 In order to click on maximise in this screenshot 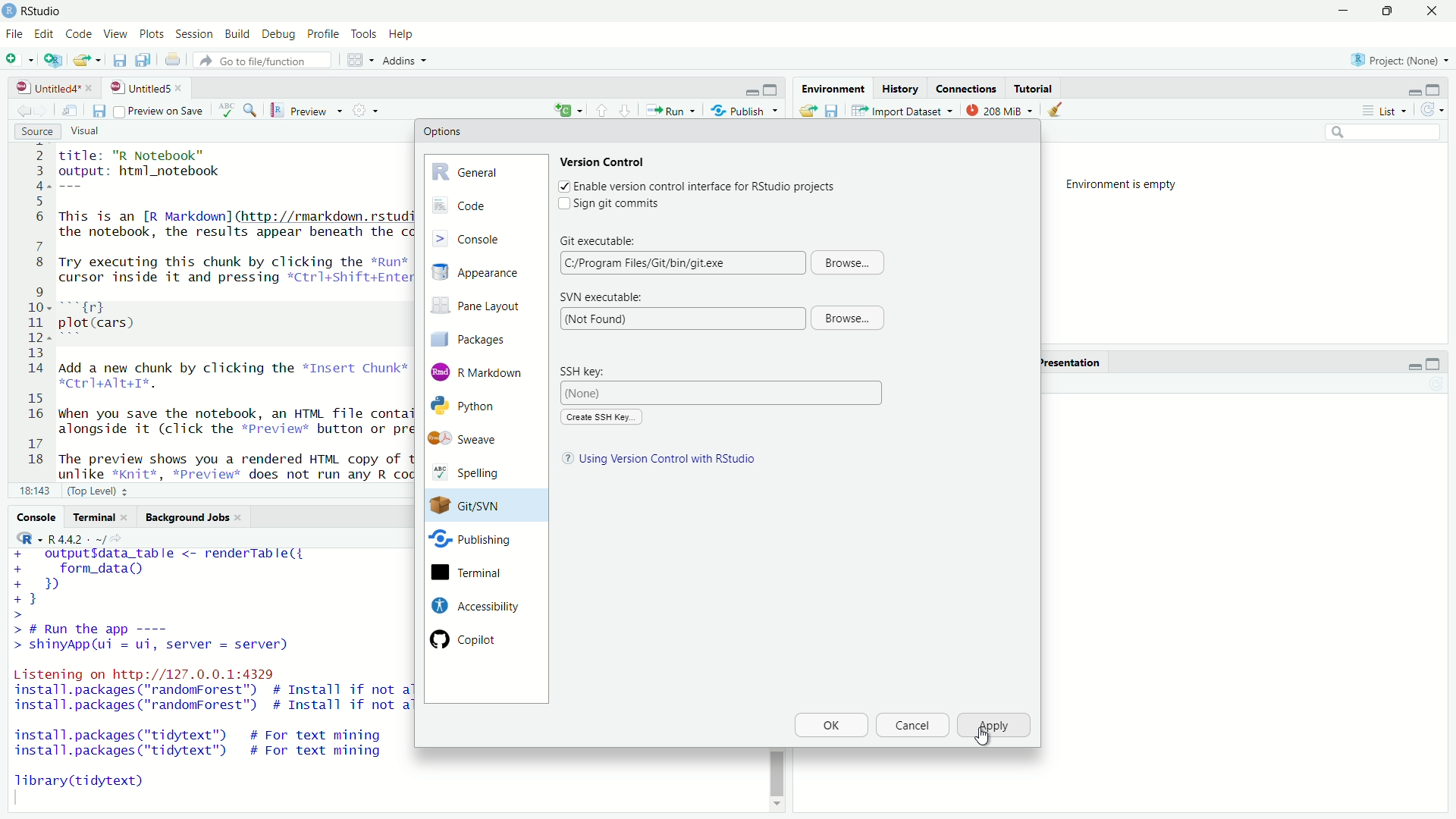, I will do `click(1385, 11)`.